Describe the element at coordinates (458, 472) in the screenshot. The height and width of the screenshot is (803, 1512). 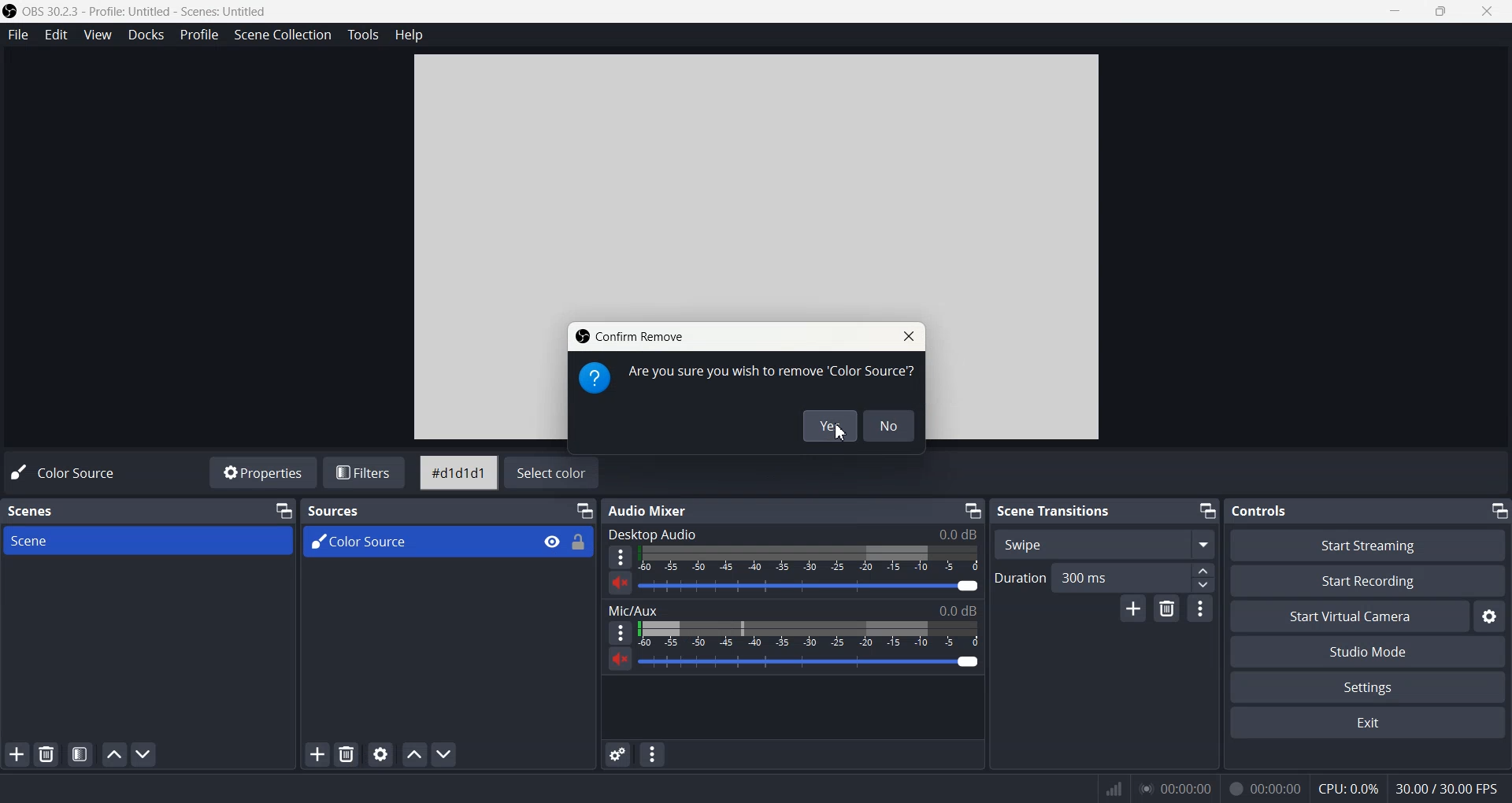
I see `#d1d1d1` at that location.